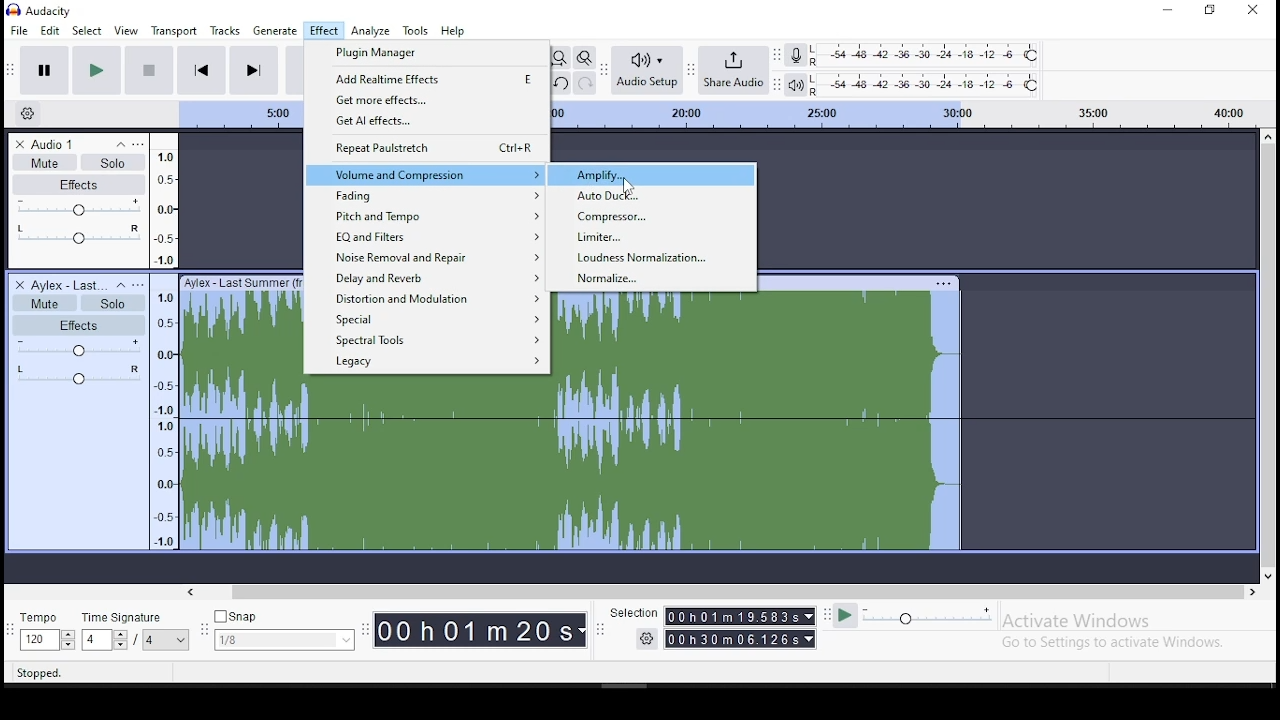  I want to click on pan, so click(79, 235).